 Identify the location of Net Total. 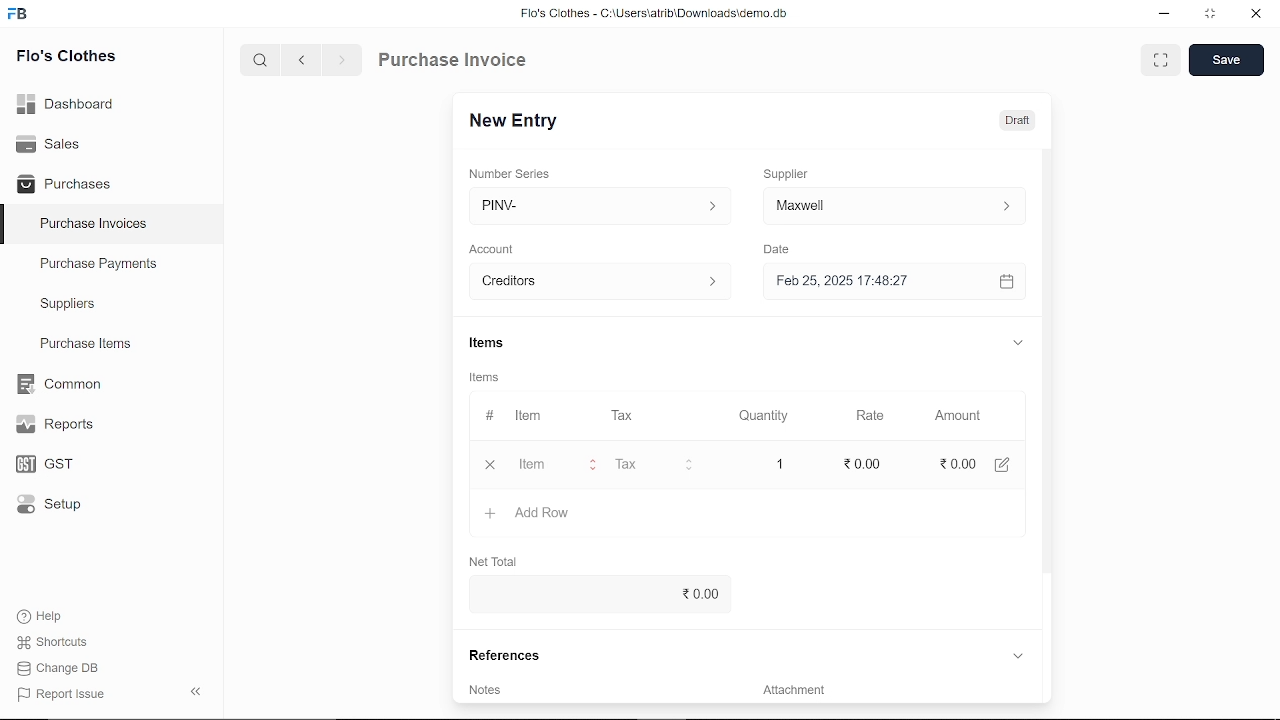
(500, 560).